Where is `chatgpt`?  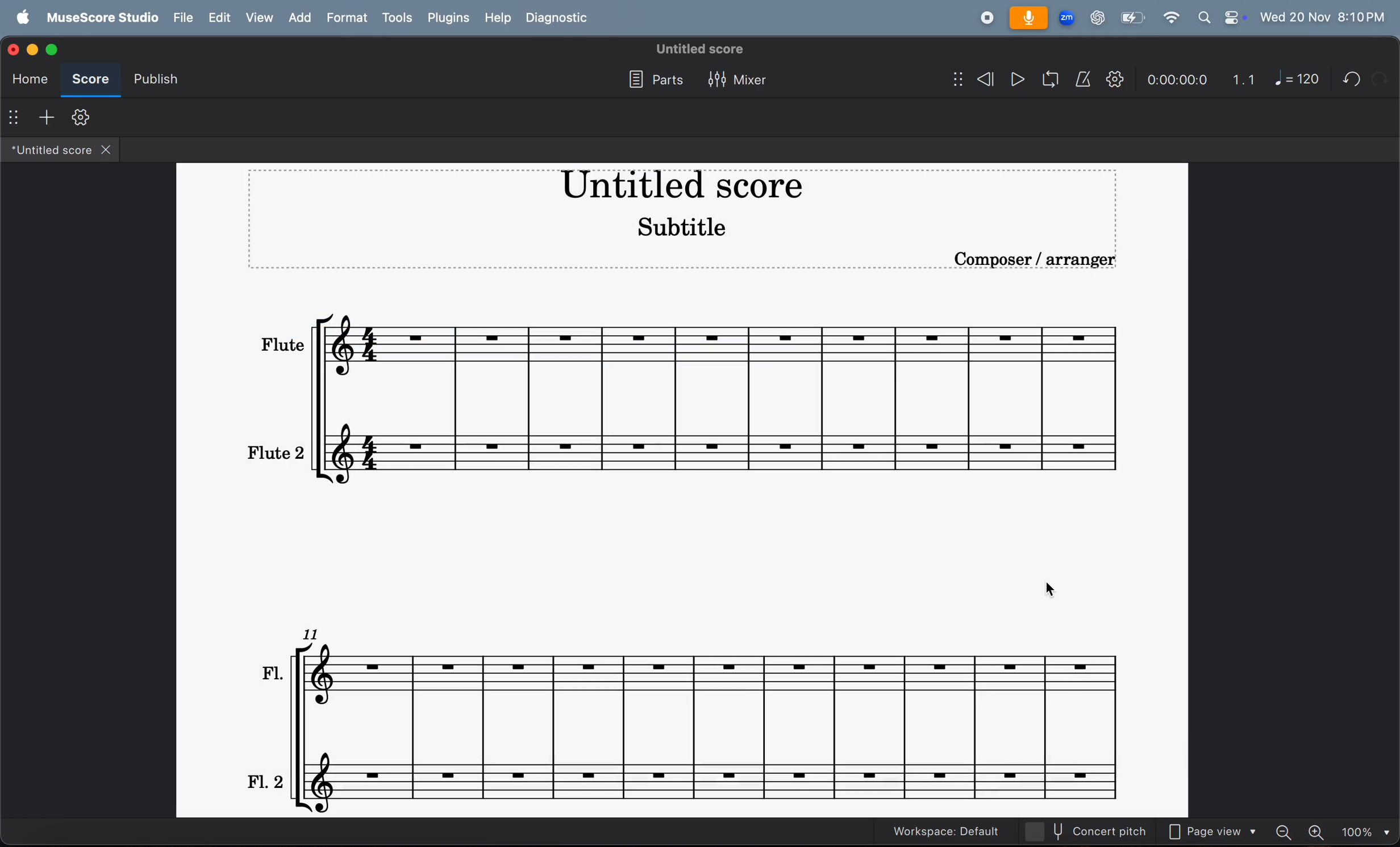 chatgpt is located at coordinates (1098, 17).